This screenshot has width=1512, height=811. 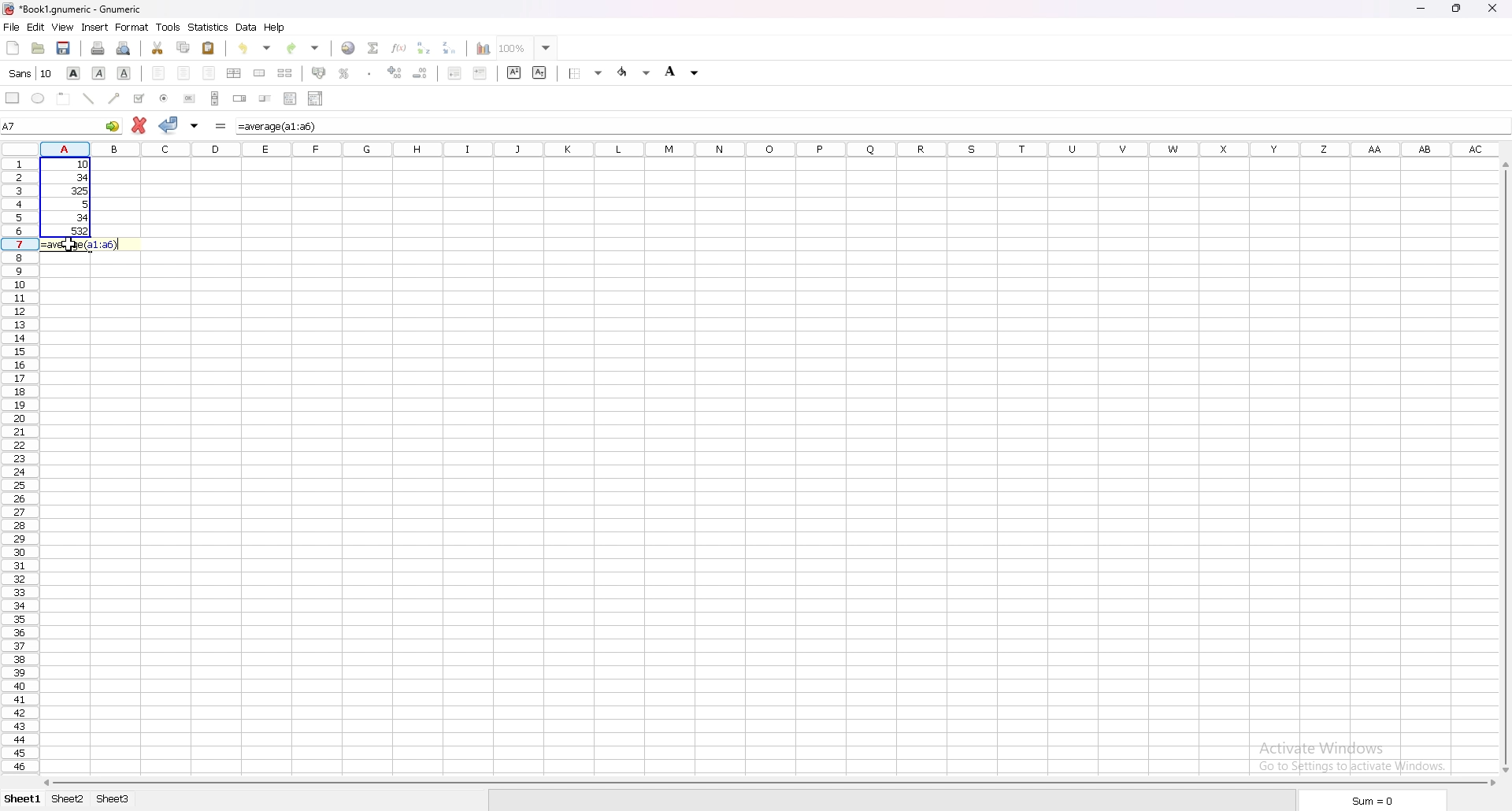 What do you see at coordinates (94, 27) in the screenshot?
I see `insert` at bounding box center [94, 27].